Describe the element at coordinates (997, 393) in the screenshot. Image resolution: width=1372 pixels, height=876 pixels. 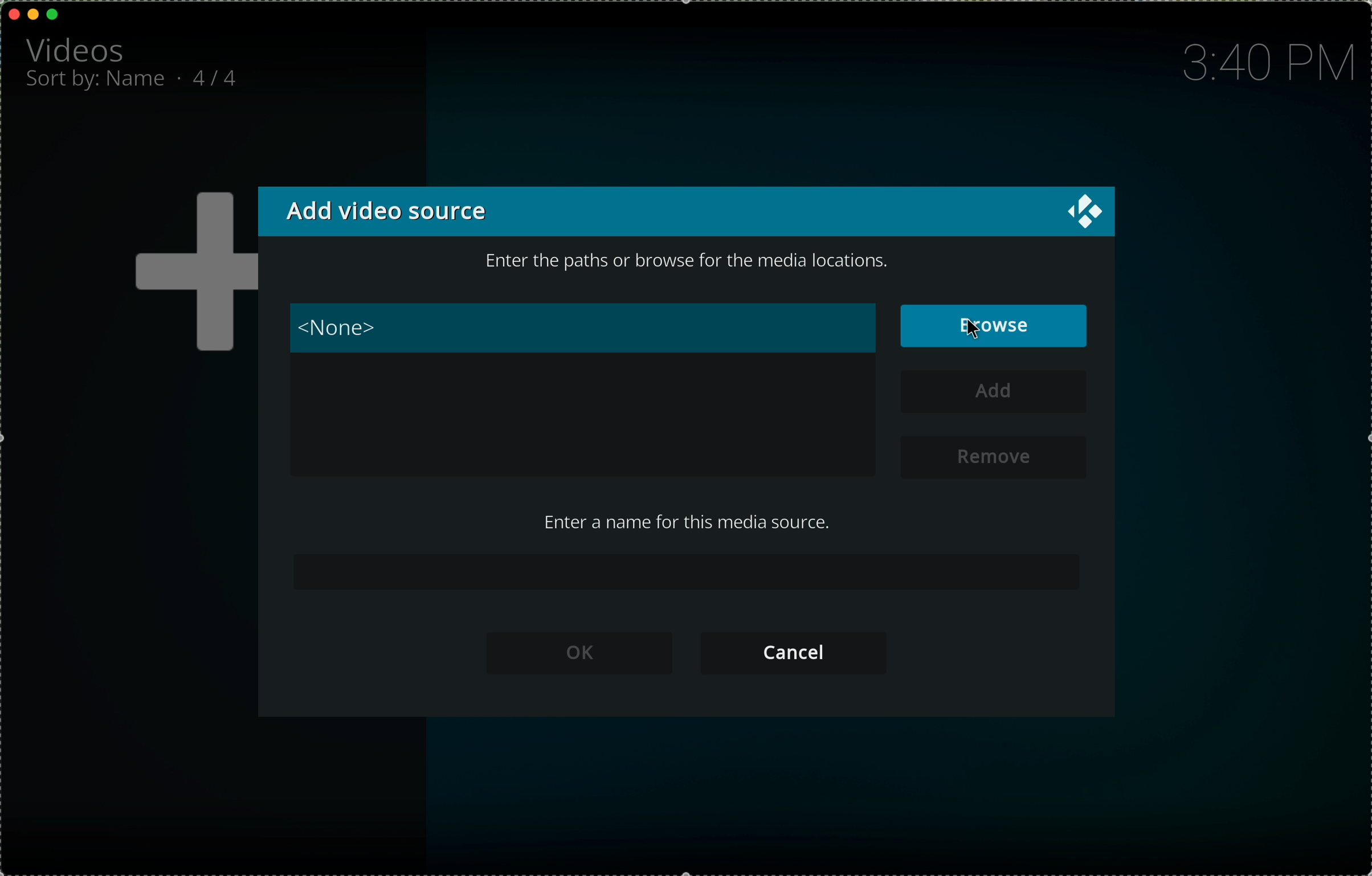
I see `add` at that location.